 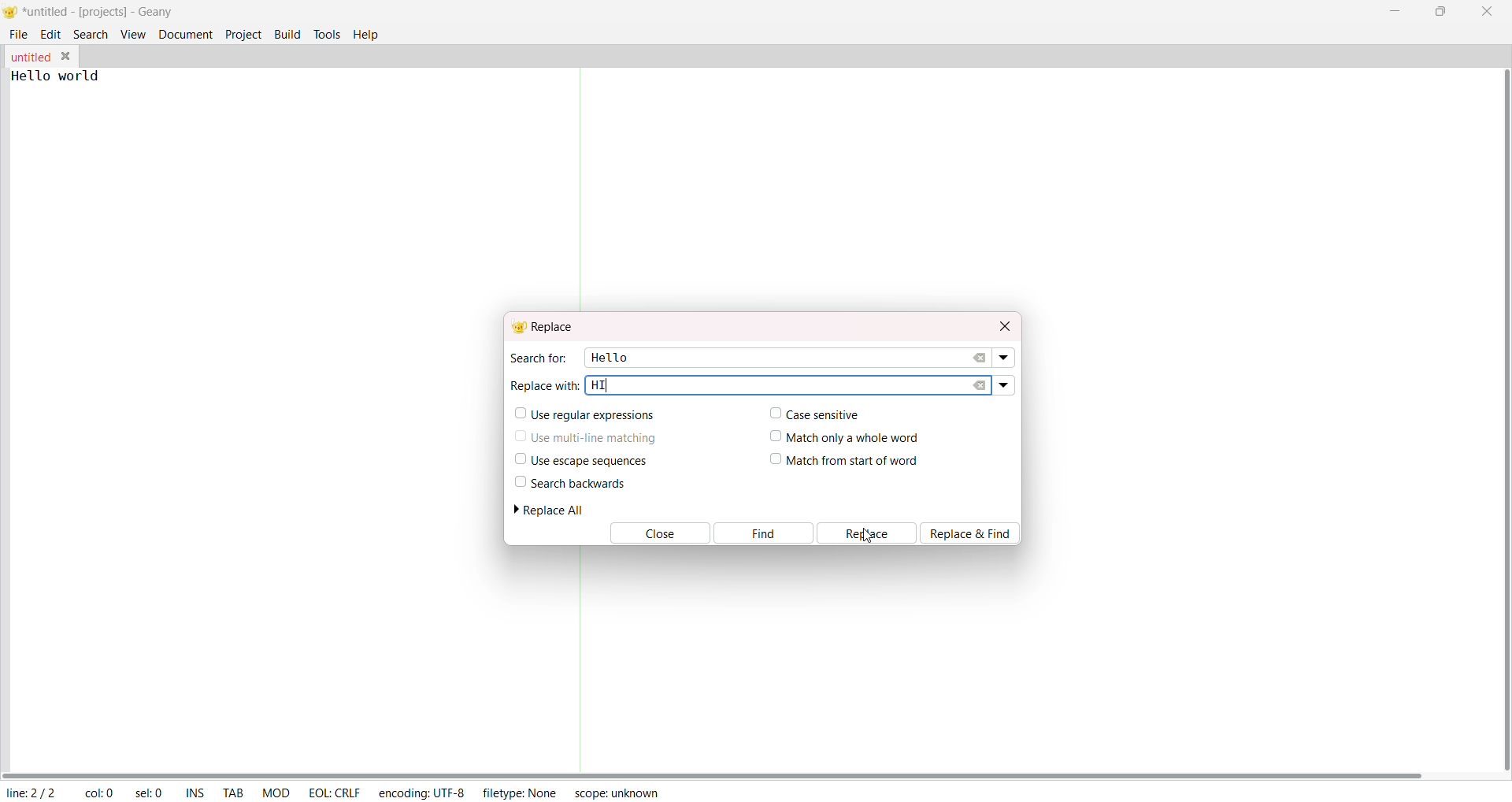 What do you see at coordinates (195, 794) in the screenshot?
I see `ins` at bounding box center [195, 794].